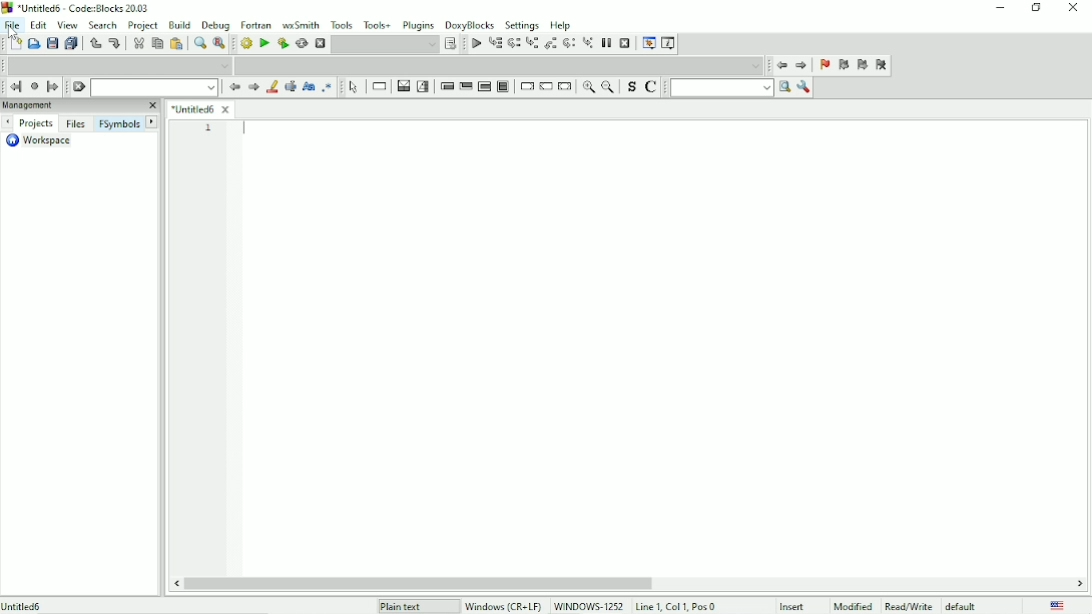  Describe the element at coordinates (80, 106) in the screenshot. I see `Management` at that location.